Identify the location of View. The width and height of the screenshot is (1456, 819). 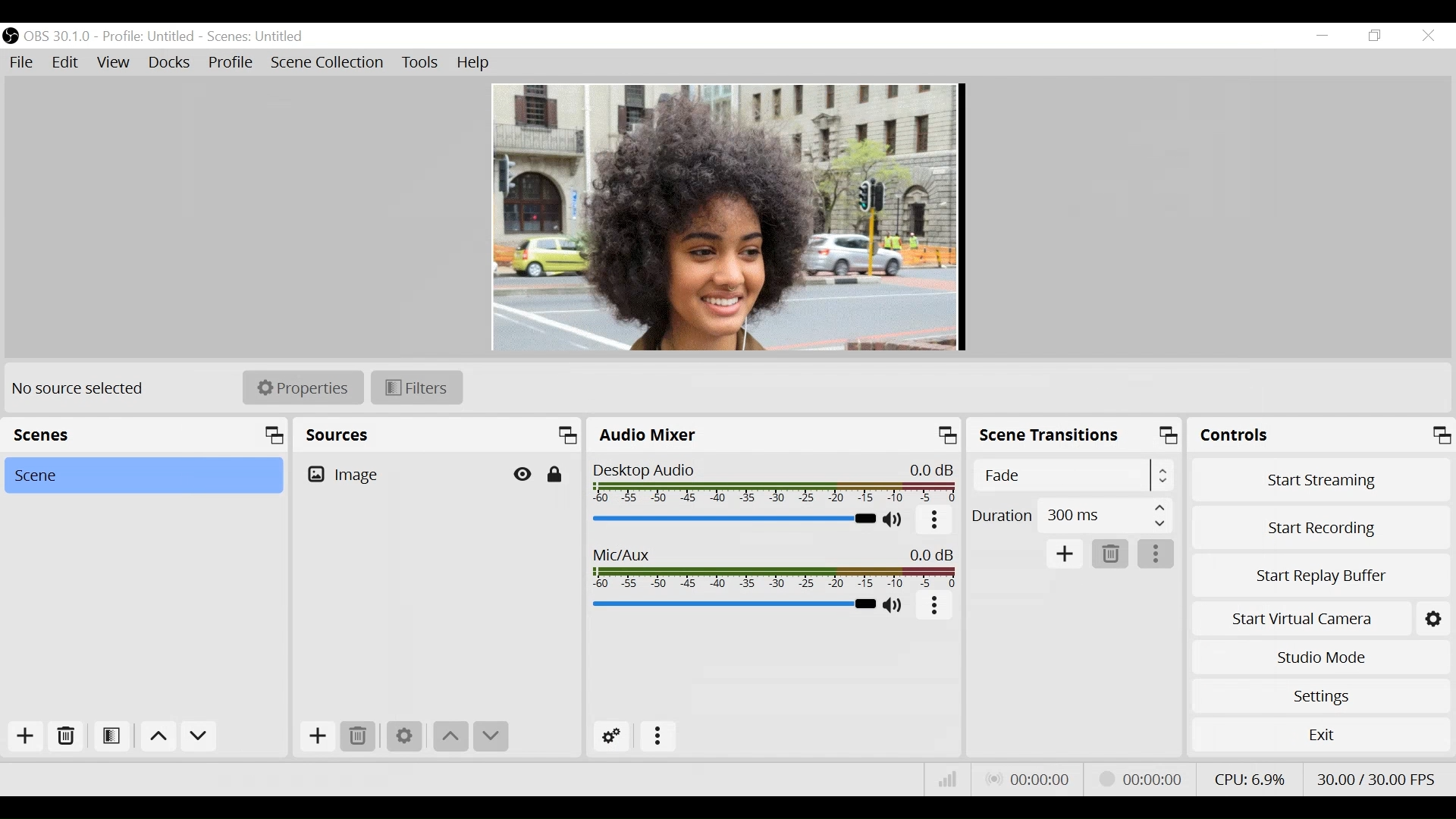
(115, 62).